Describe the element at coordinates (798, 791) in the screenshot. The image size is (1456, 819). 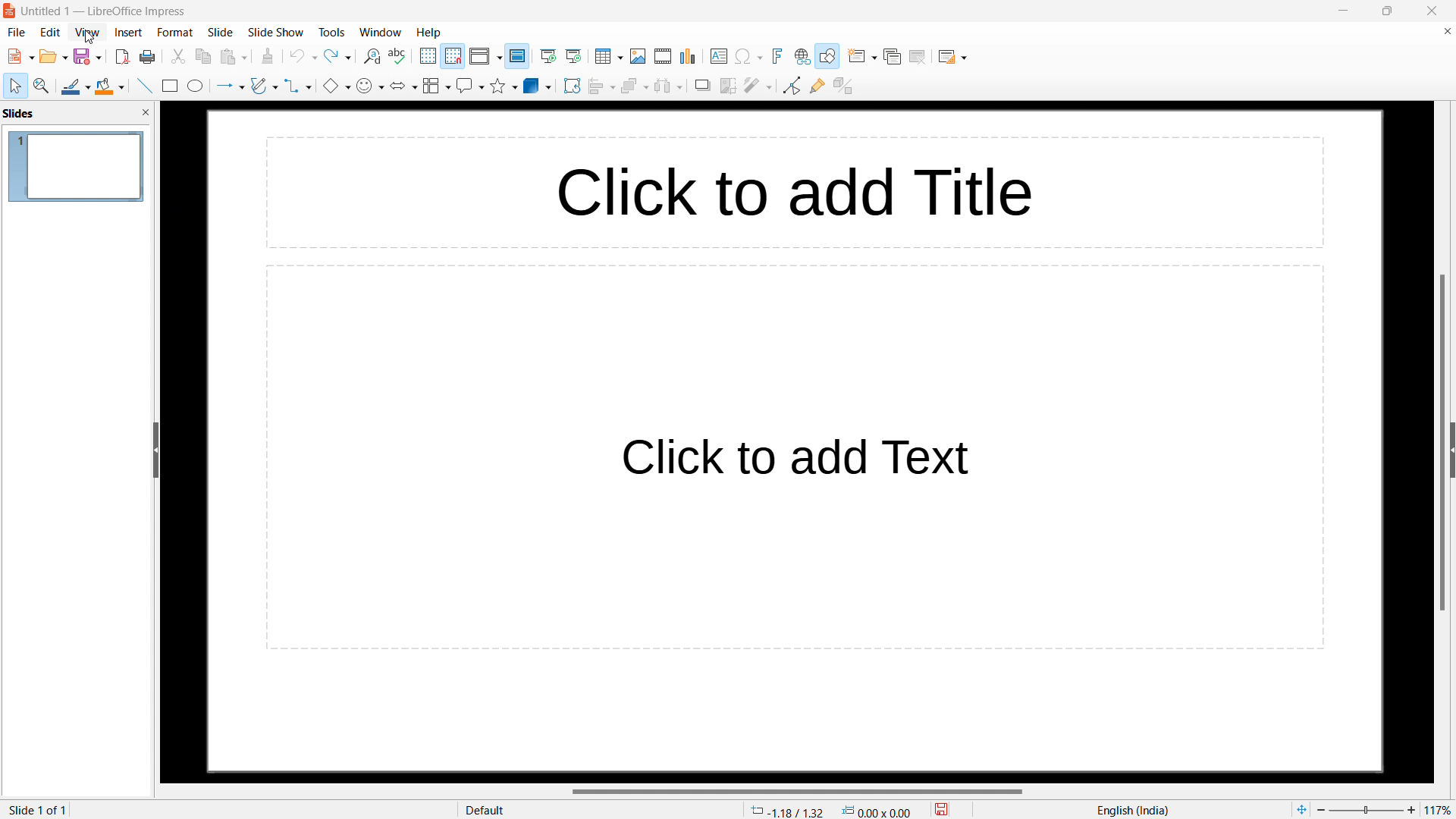
I see `horizontal scrollbar` at that location.